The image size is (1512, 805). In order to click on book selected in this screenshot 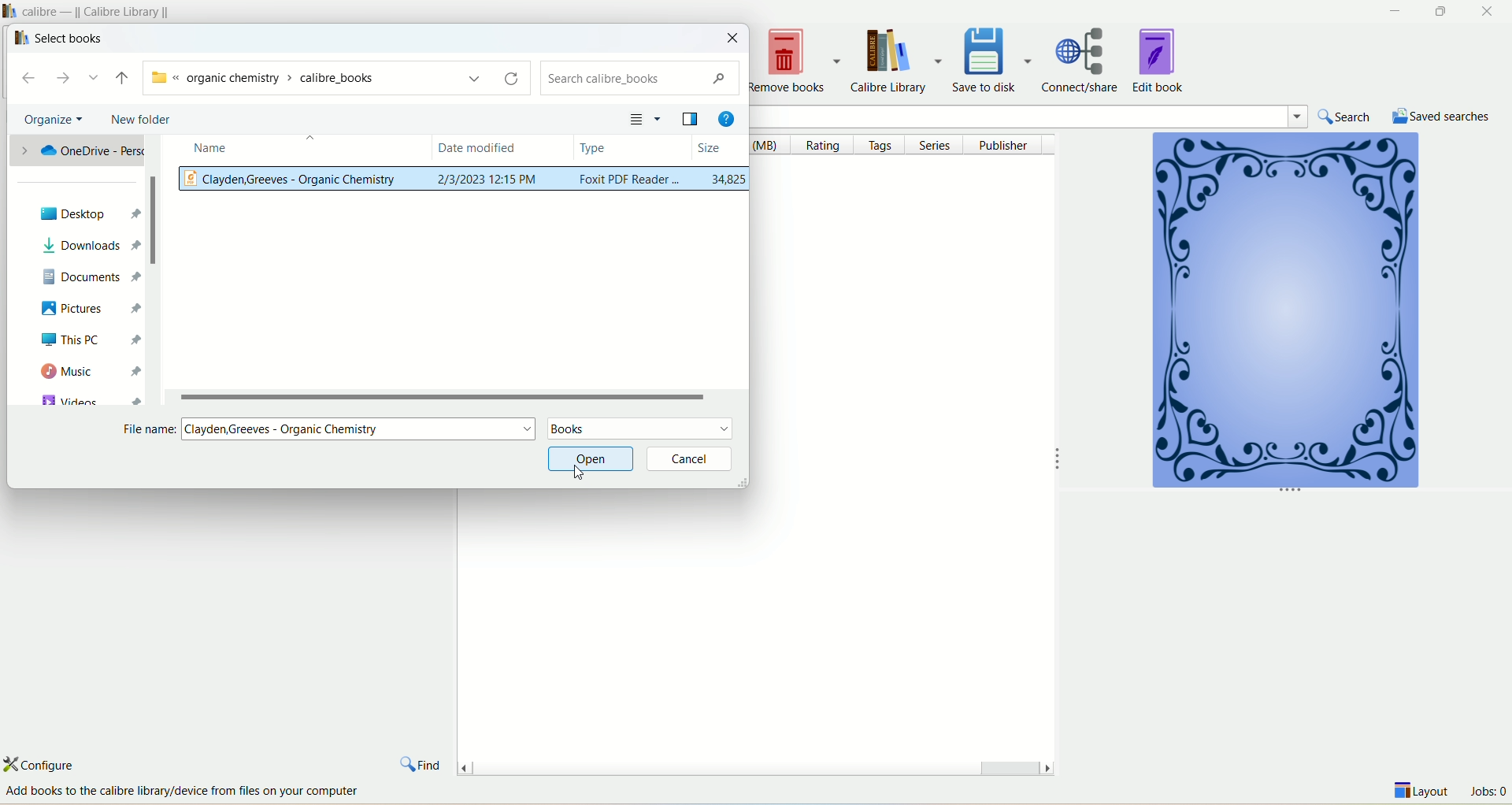, I will do `click(465, 182)`.